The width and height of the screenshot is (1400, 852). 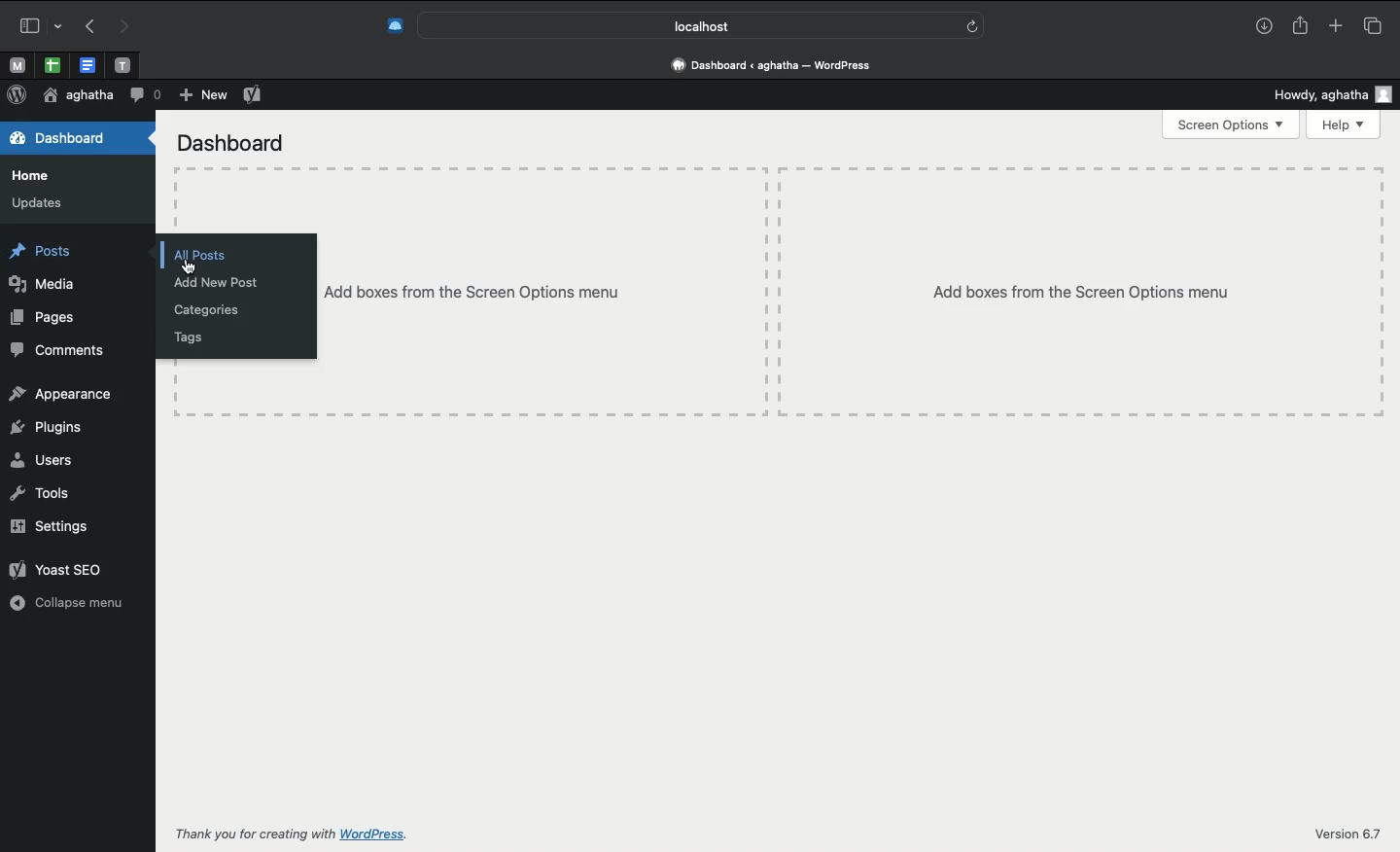 I want to click on Categories, so click(x=209, y=309).